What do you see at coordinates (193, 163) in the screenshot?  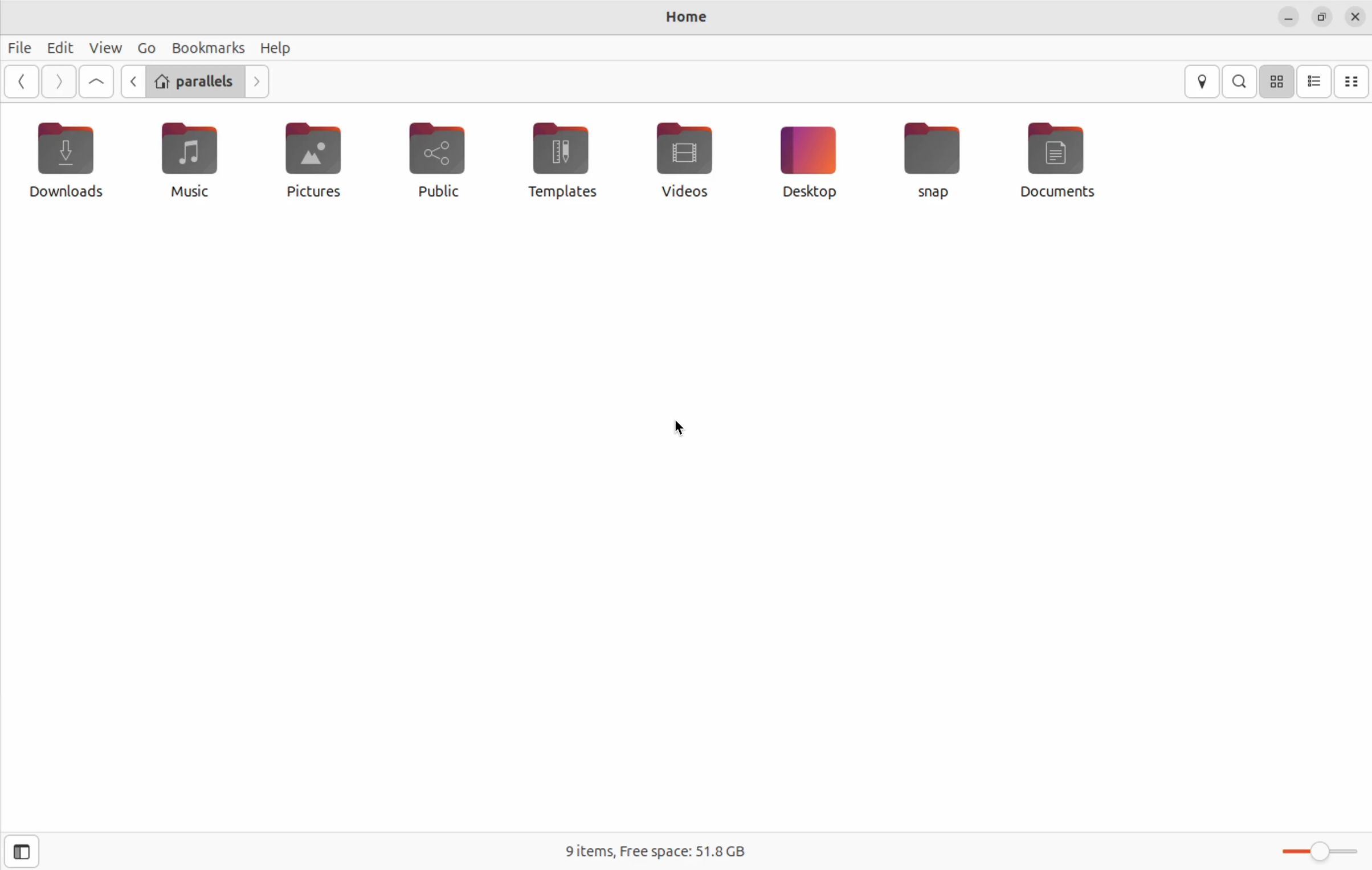 I see `Music` at bounding box center [193, 163].